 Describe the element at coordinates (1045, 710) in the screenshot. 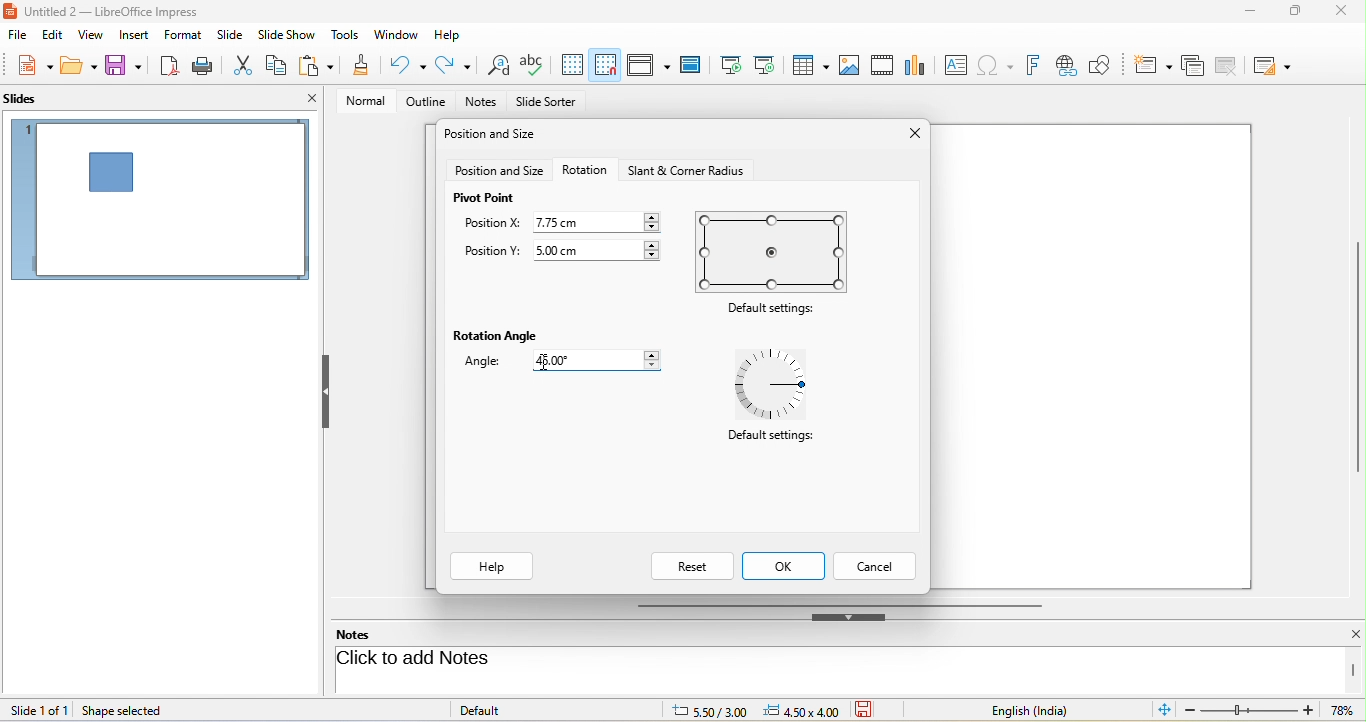

I see `text language` at that location.